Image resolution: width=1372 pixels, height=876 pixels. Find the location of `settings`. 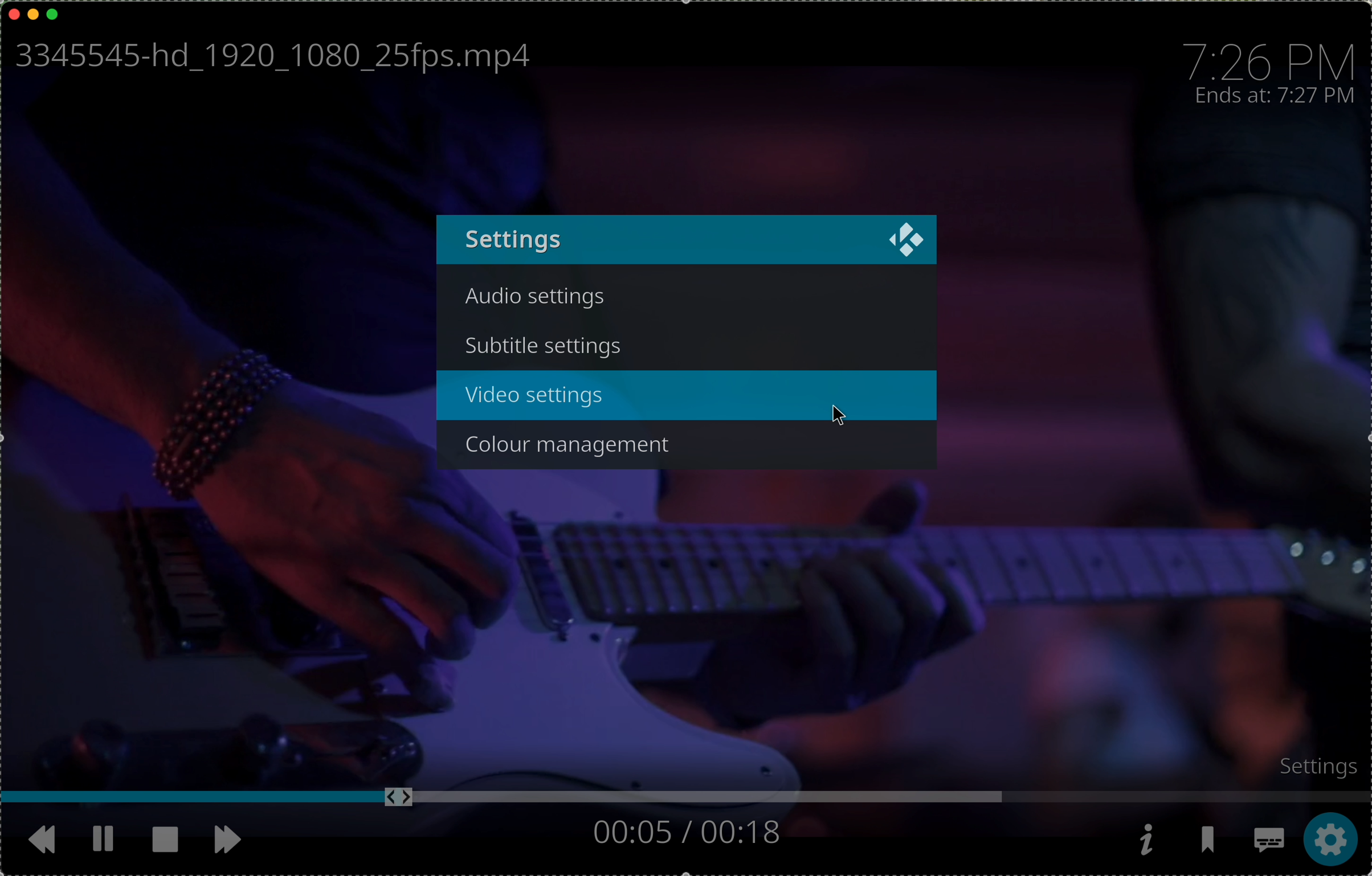

settings is located at coordinates (514, 239).